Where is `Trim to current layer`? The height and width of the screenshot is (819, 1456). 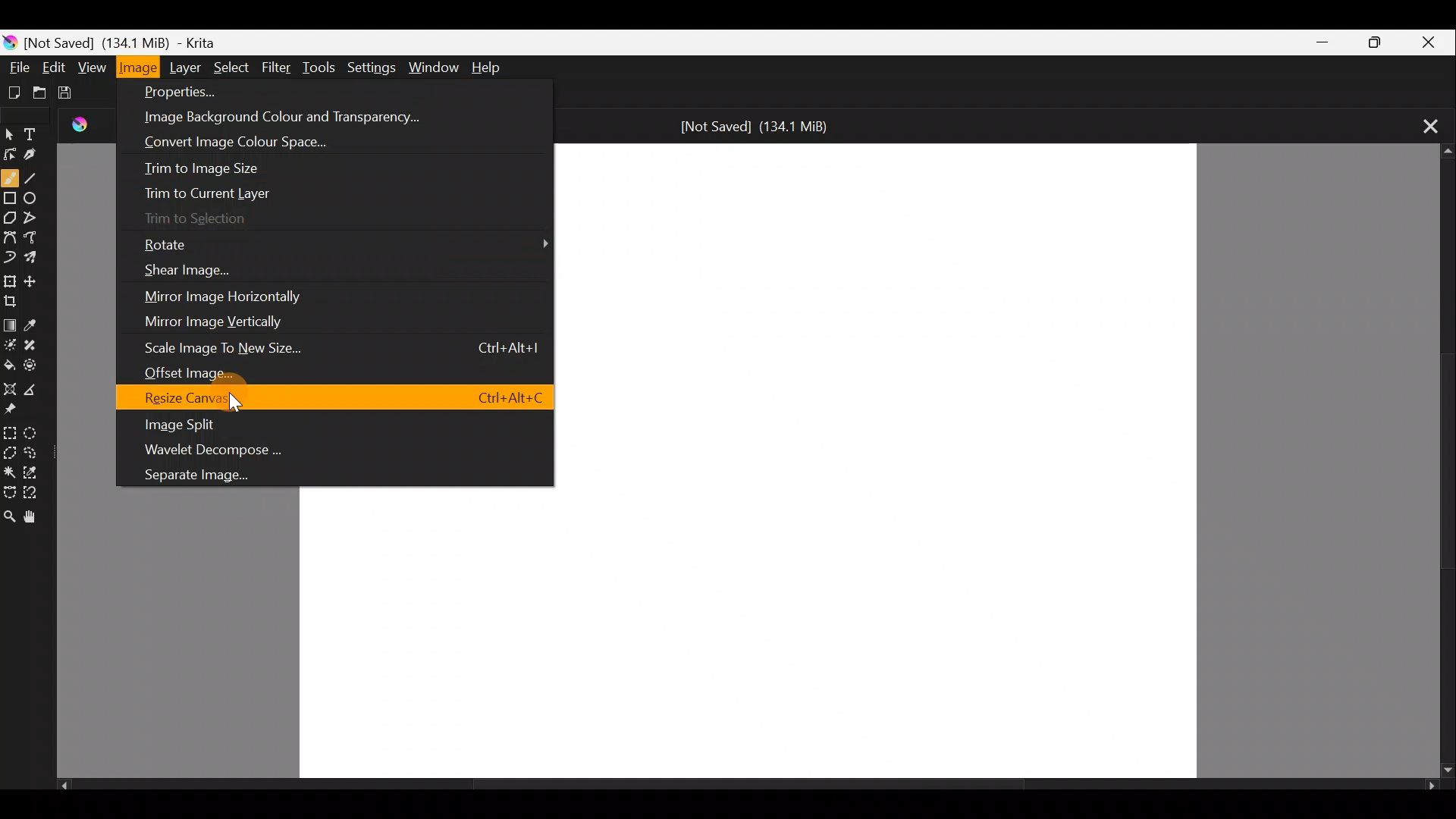
Trim to current layer is located at coordinates (206, 190).